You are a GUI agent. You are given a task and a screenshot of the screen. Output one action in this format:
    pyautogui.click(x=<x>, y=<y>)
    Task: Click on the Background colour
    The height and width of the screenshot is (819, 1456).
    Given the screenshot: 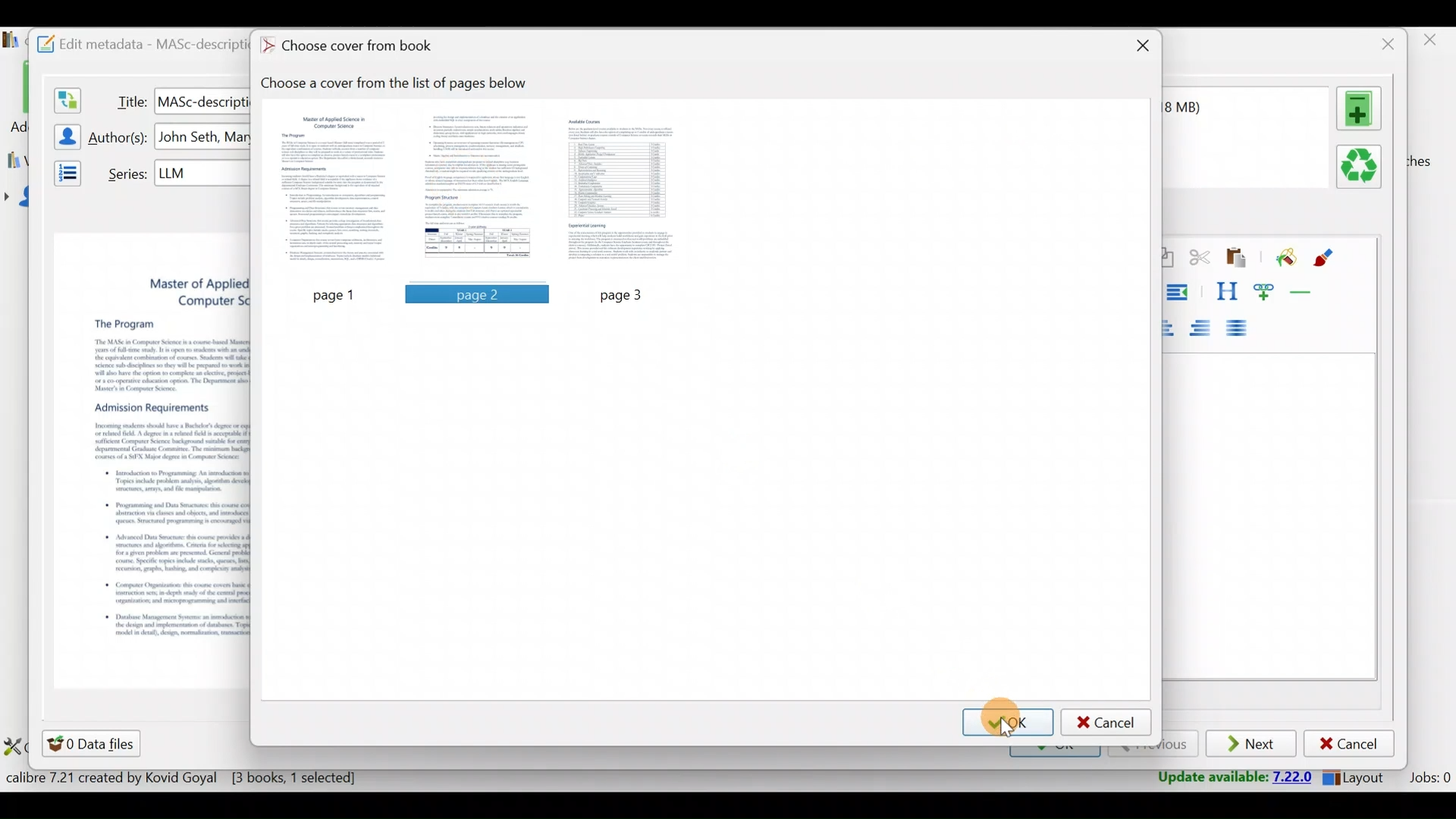 What is the action you would take?
    pyautogui.click(x=1284, y=259)
    